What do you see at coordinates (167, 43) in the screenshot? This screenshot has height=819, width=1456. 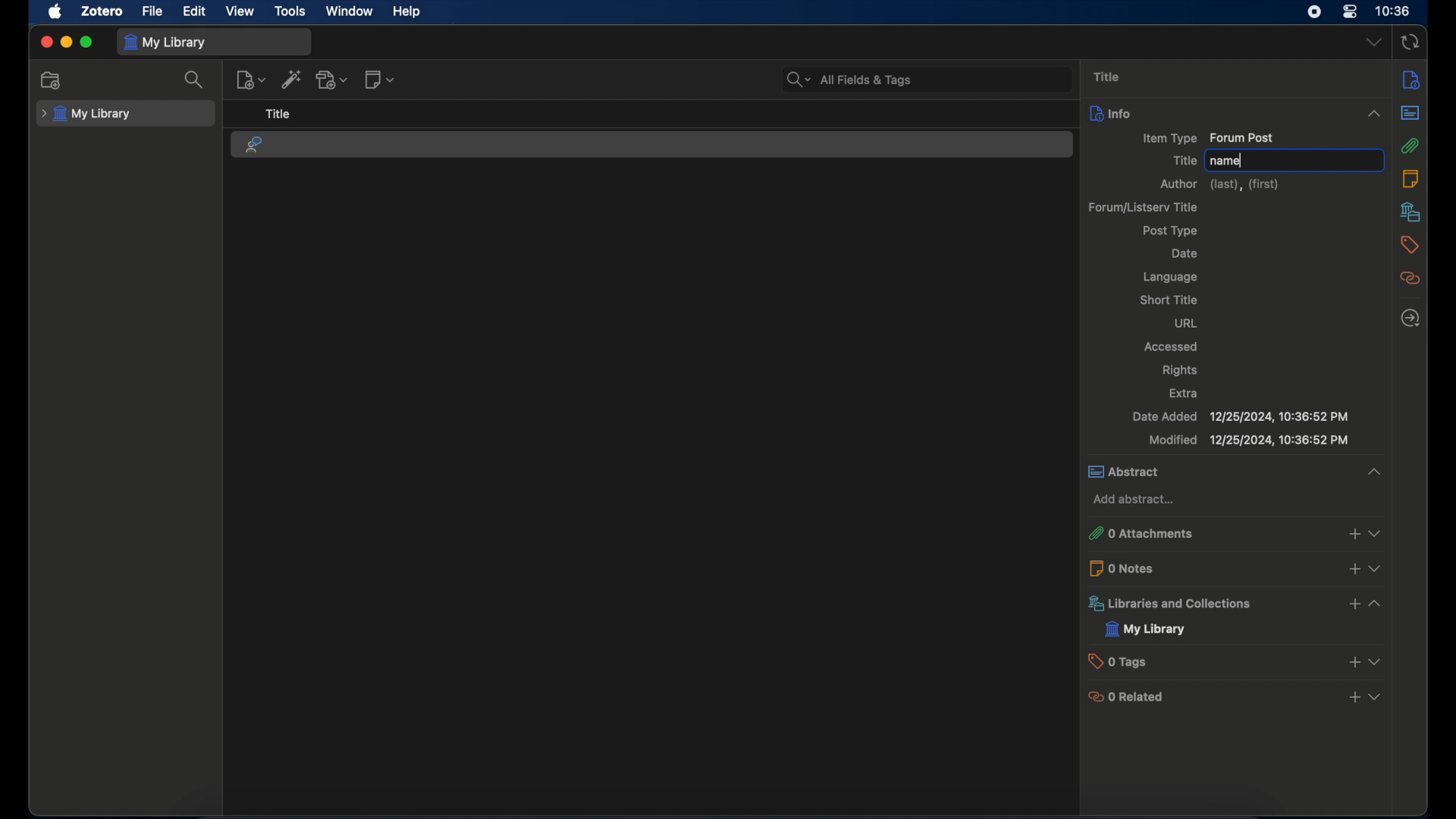 I see `my library` at bounding box center [167, 43].